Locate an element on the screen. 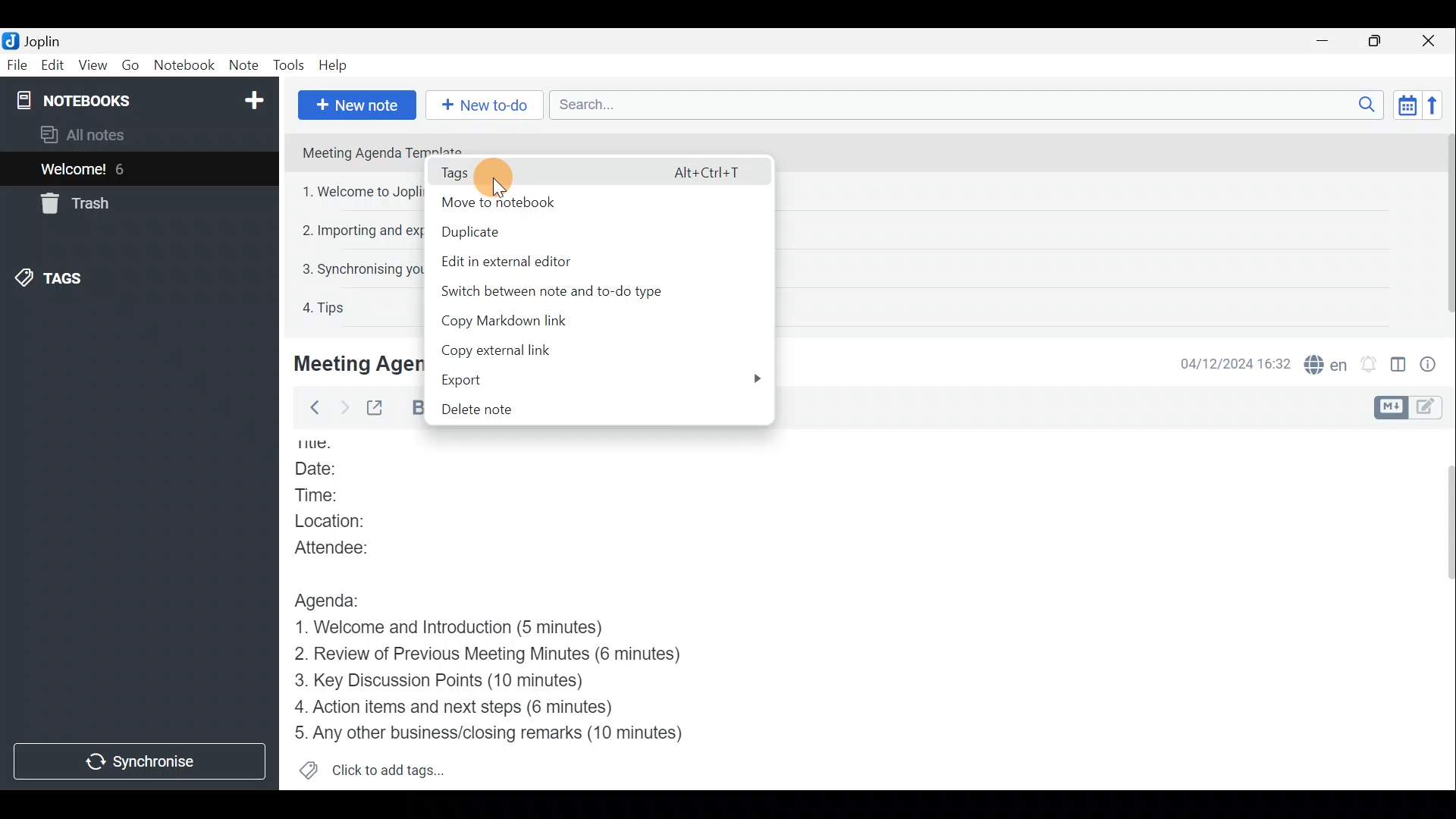 The height and width of the screenshot is (819, 1456). 2. Importing and exporting notes is located at coordinates (363, 231).